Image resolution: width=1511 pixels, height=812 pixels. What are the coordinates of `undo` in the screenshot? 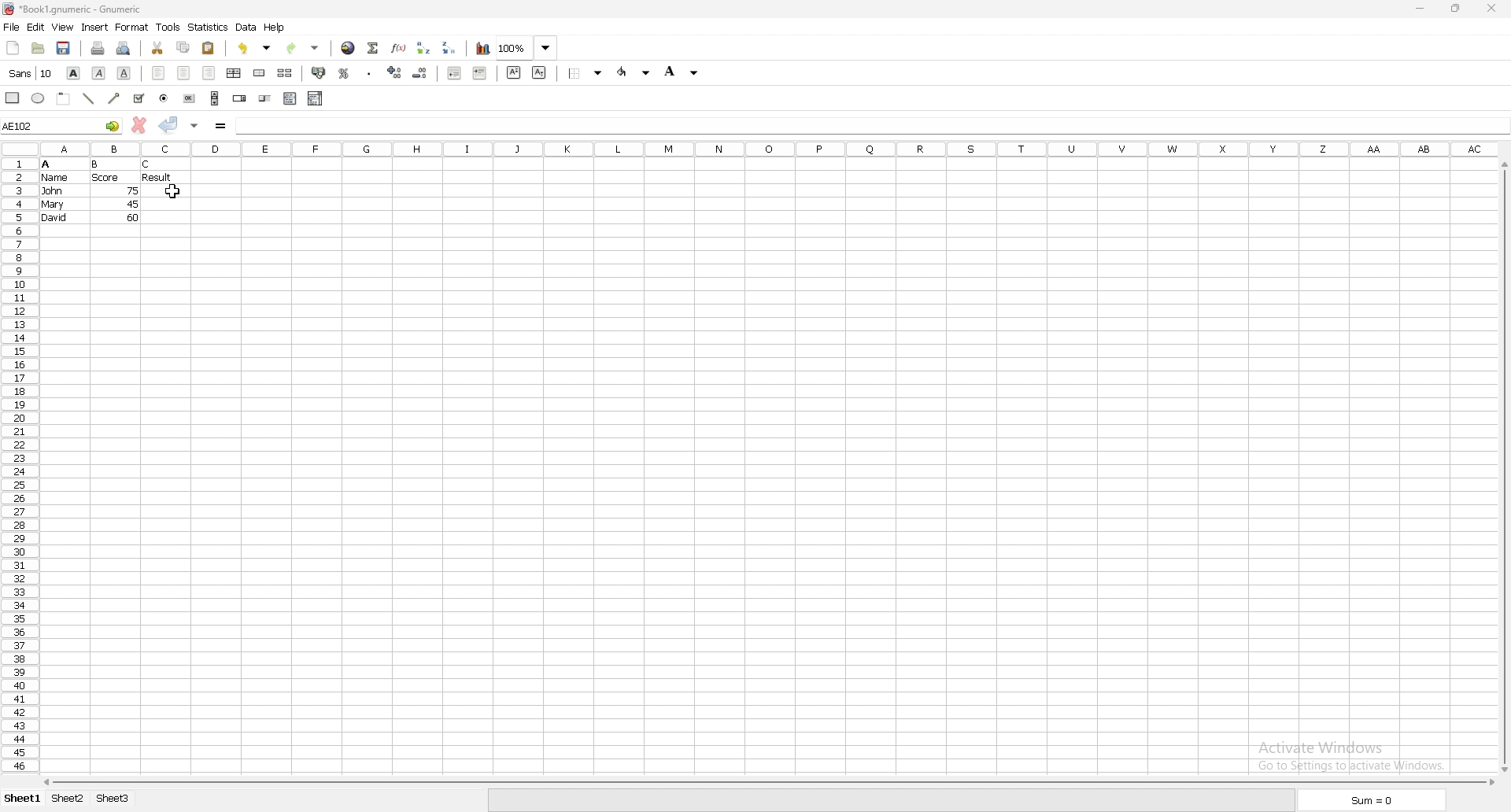 It's located at (253, 50).